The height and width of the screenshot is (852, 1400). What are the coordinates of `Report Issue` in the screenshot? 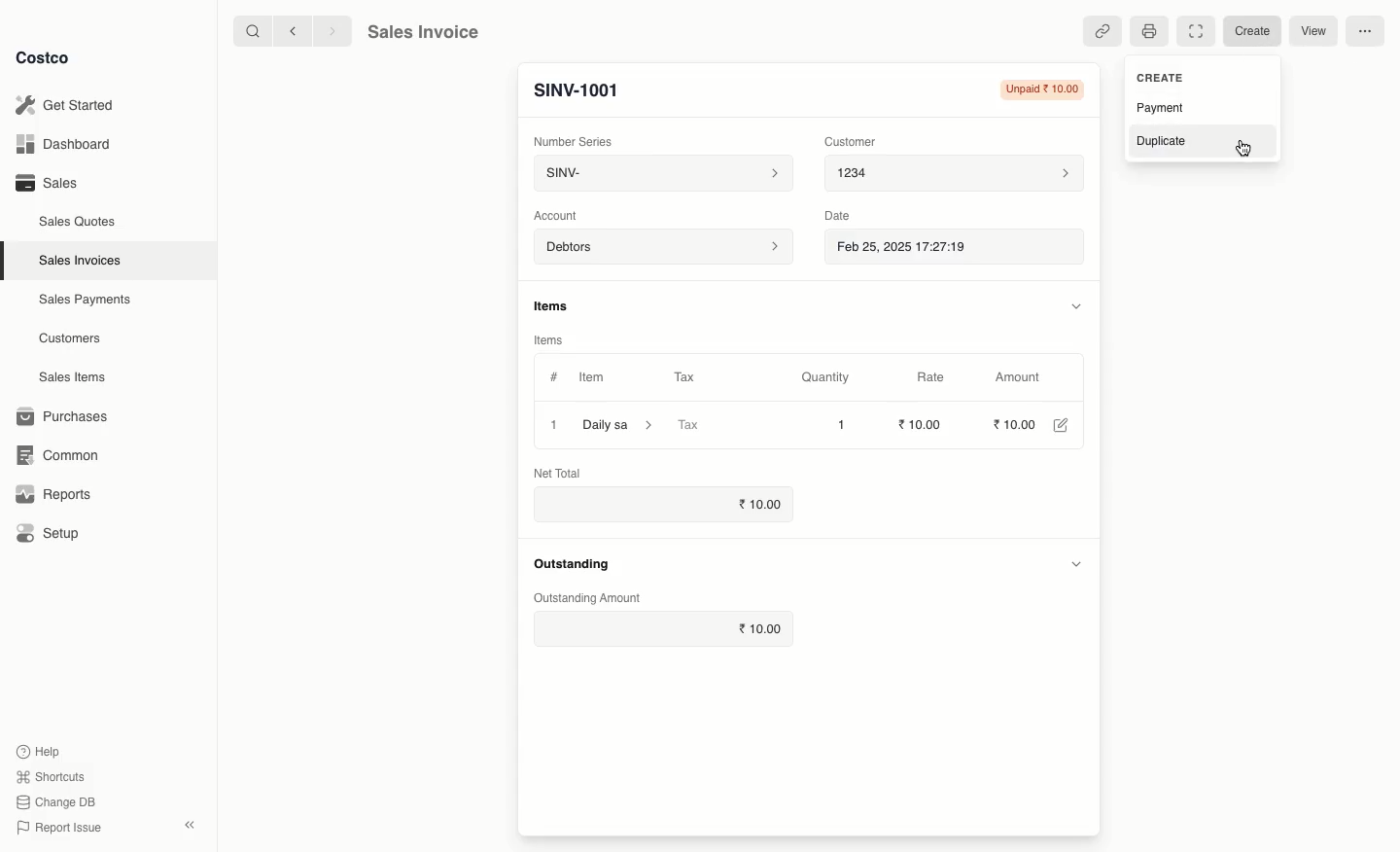 It's located at (61, 828).